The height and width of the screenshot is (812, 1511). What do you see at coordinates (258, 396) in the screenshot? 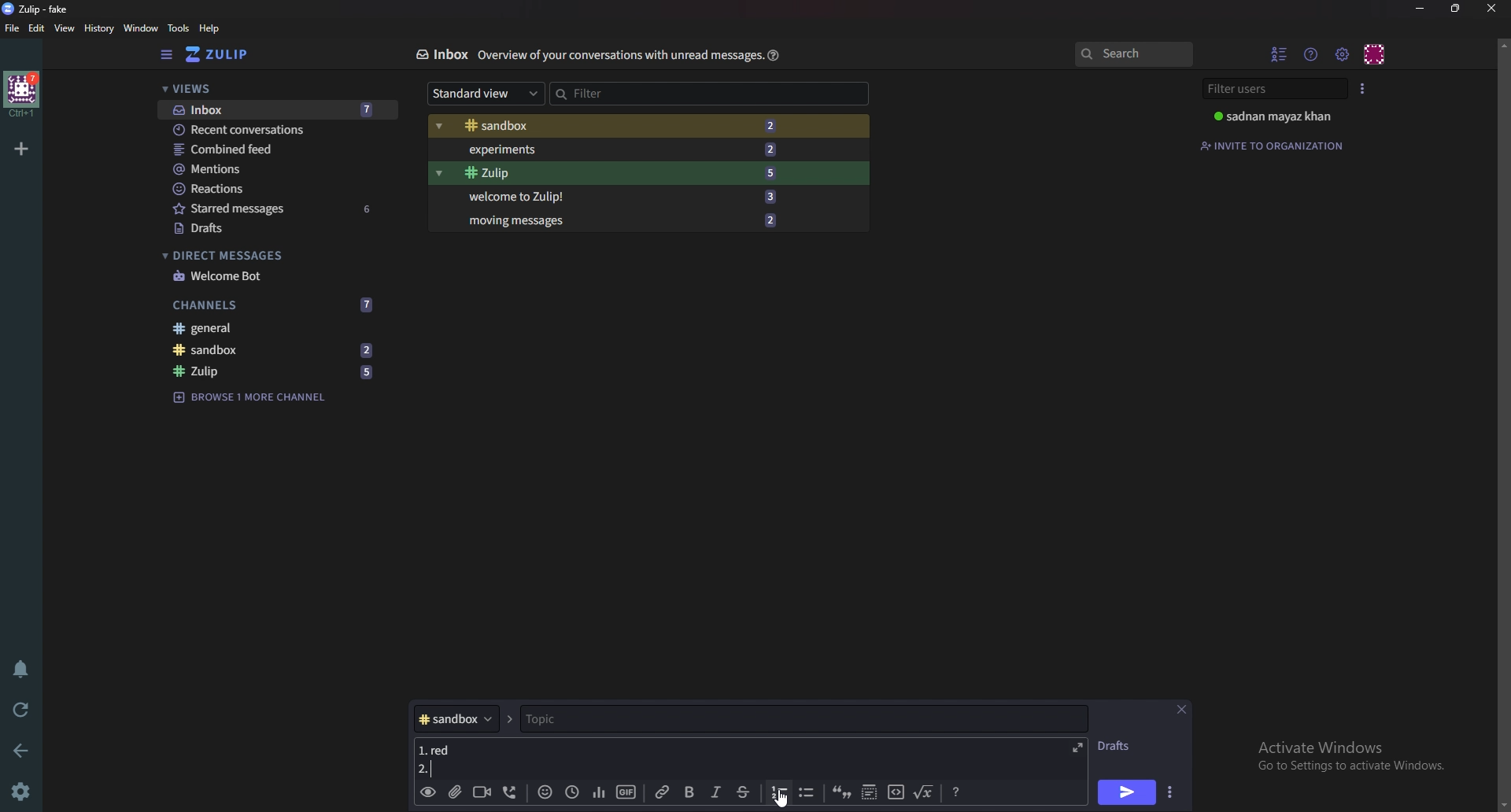
I see `Browse channel` at bounding box center [258, 396].